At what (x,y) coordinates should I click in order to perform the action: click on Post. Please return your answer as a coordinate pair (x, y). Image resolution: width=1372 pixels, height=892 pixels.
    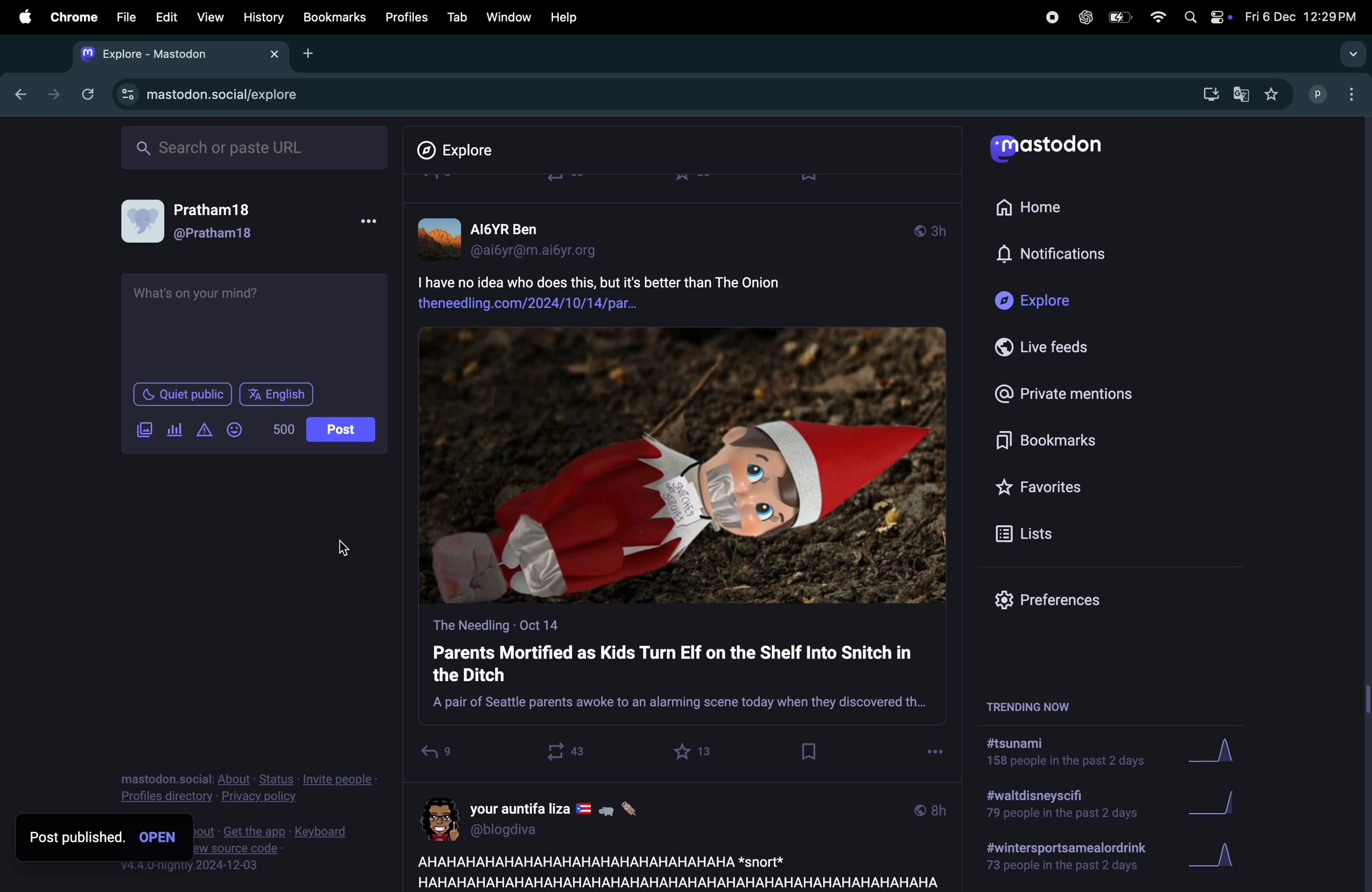
    Looking at the image, I should click on (342, 430).